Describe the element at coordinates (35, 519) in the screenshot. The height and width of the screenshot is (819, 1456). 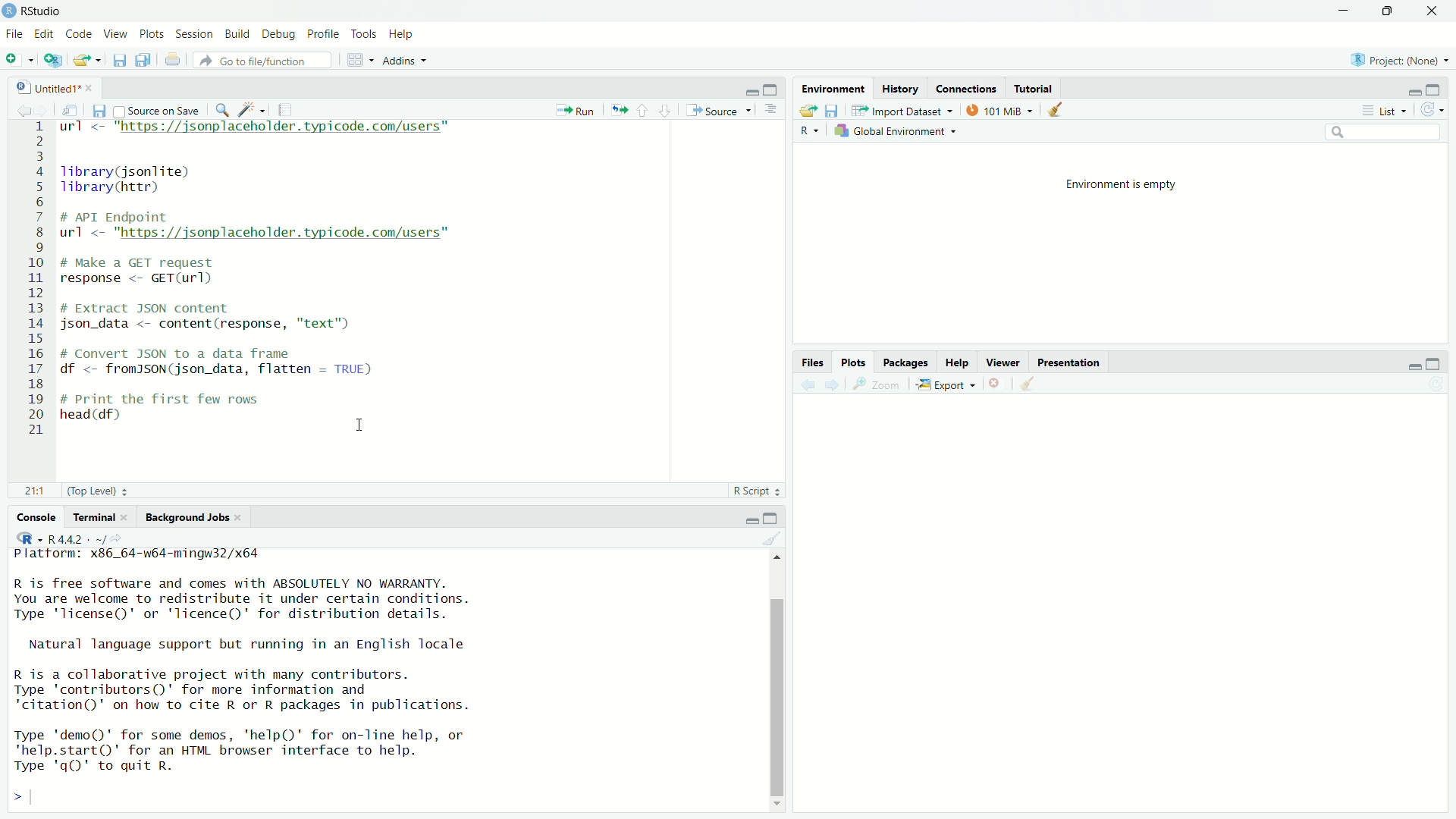
I see `Console` at that location.